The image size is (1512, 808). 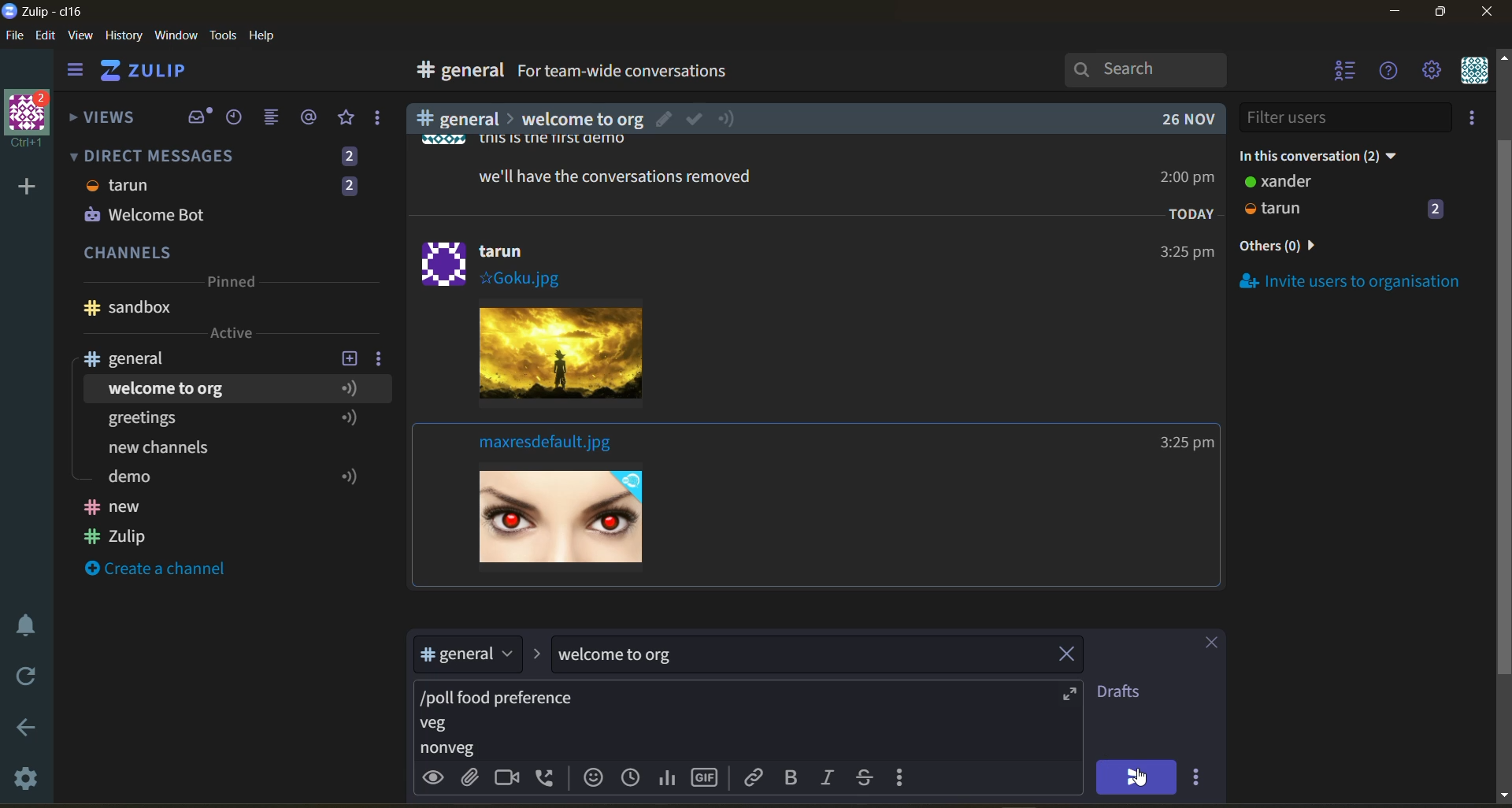 I want to click on organisation, so click(x=31, y=120).